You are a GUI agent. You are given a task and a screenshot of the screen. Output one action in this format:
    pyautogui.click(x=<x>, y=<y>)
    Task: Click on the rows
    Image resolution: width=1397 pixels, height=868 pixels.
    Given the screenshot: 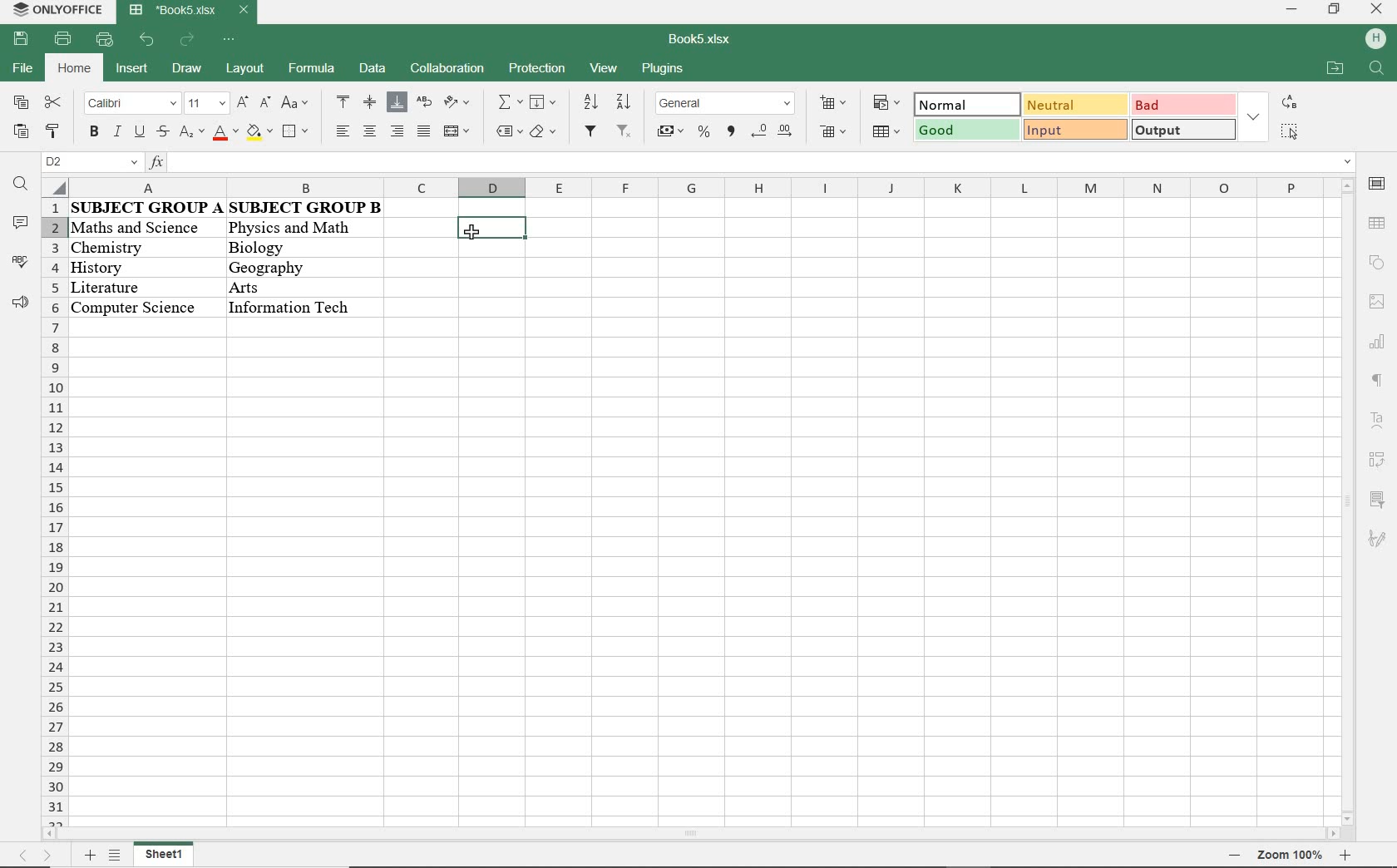 What is the action you would take?
    pyautogui.click(x=52, y=514)
    